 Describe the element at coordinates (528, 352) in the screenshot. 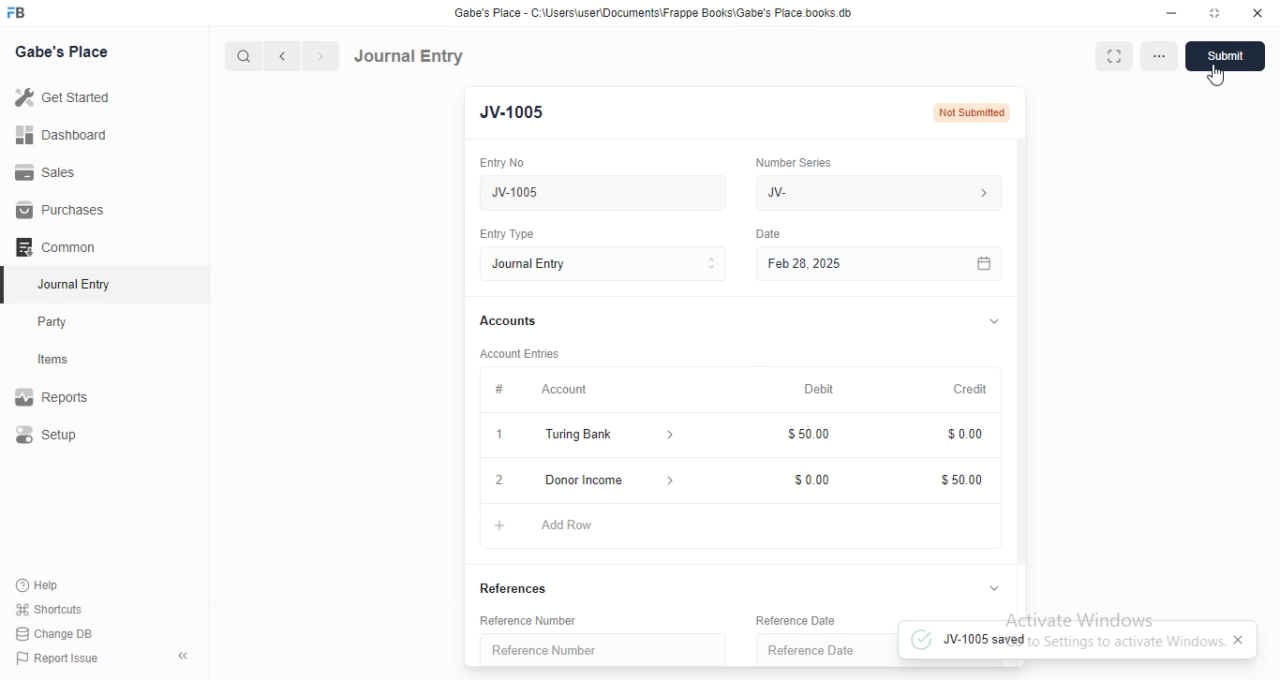

I see `‘Account Entries.` at that location.